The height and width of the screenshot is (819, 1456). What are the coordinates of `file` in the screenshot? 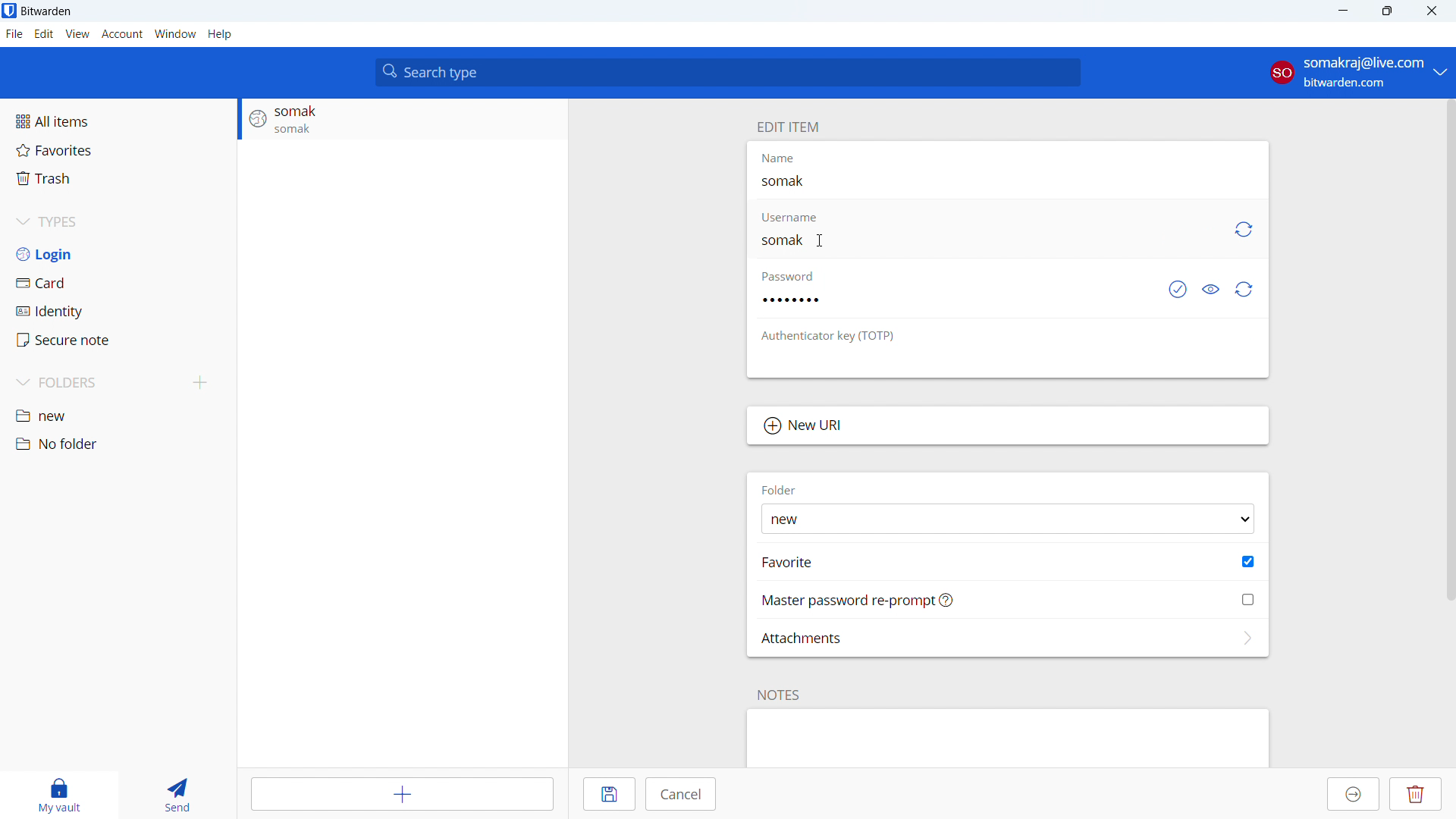 It's located at (14, 34).